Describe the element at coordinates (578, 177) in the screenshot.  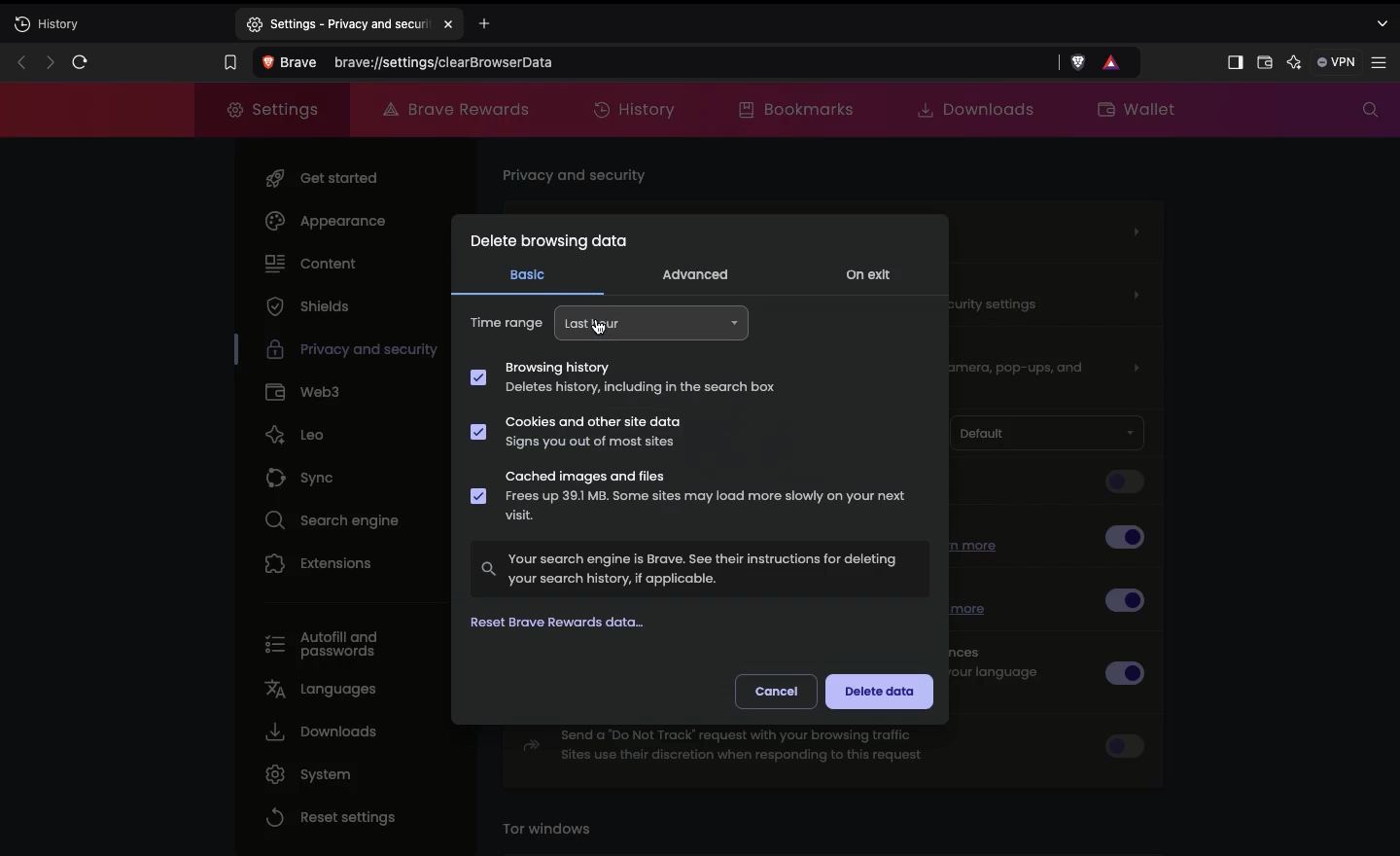
I see `Privacy and security` at that location.